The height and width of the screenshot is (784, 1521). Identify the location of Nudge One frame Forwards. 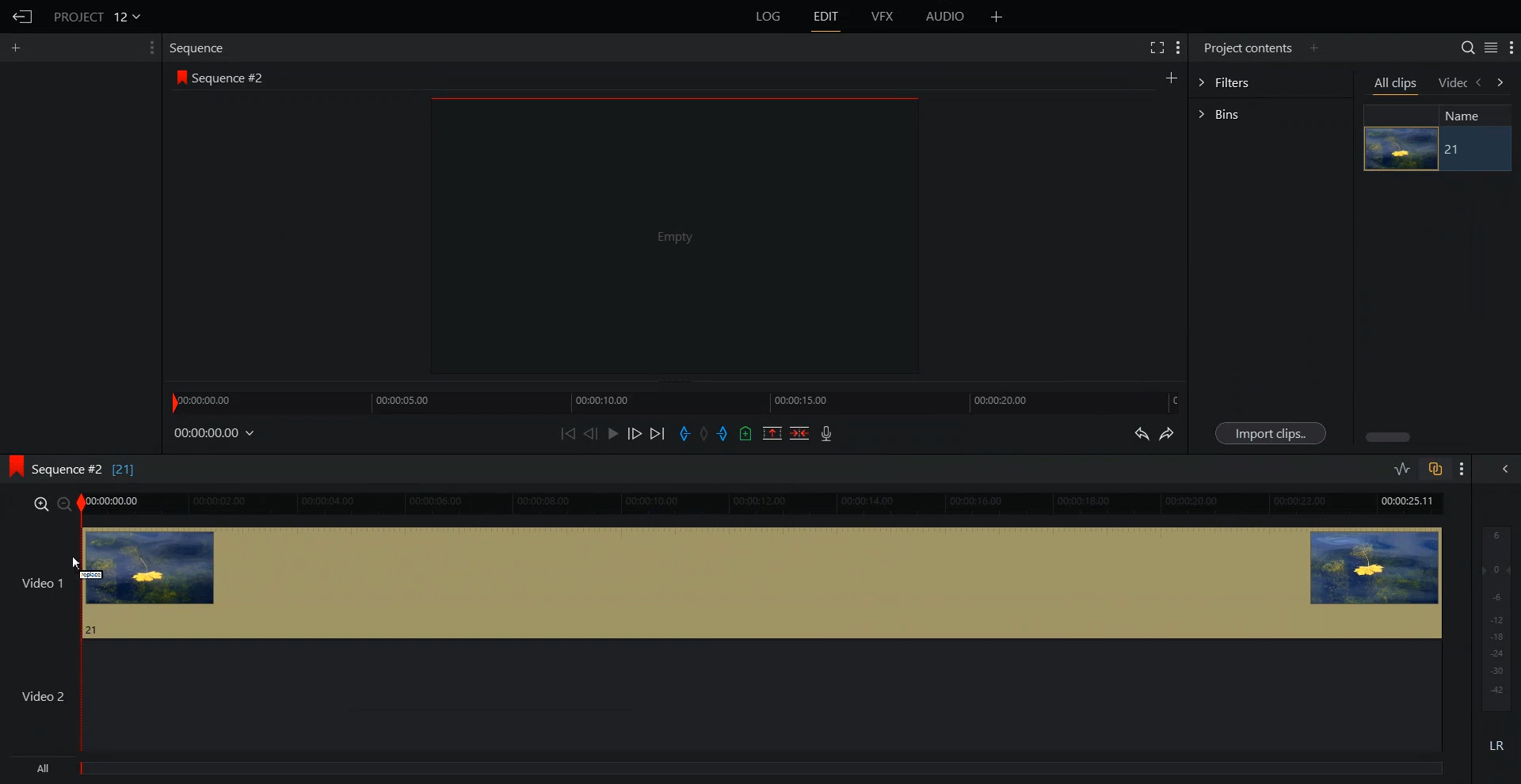
(634, 433).